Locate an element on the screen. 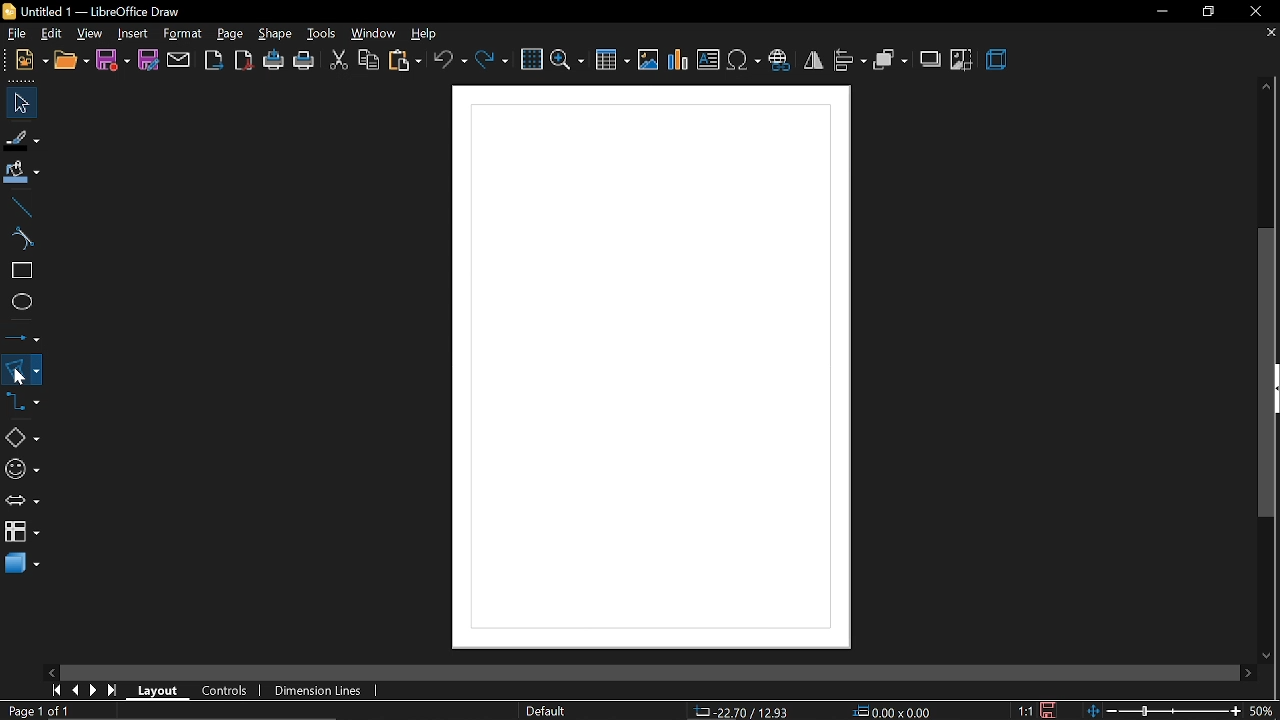 The image size is (1280, 720). page is located at coordinates (230, 33).